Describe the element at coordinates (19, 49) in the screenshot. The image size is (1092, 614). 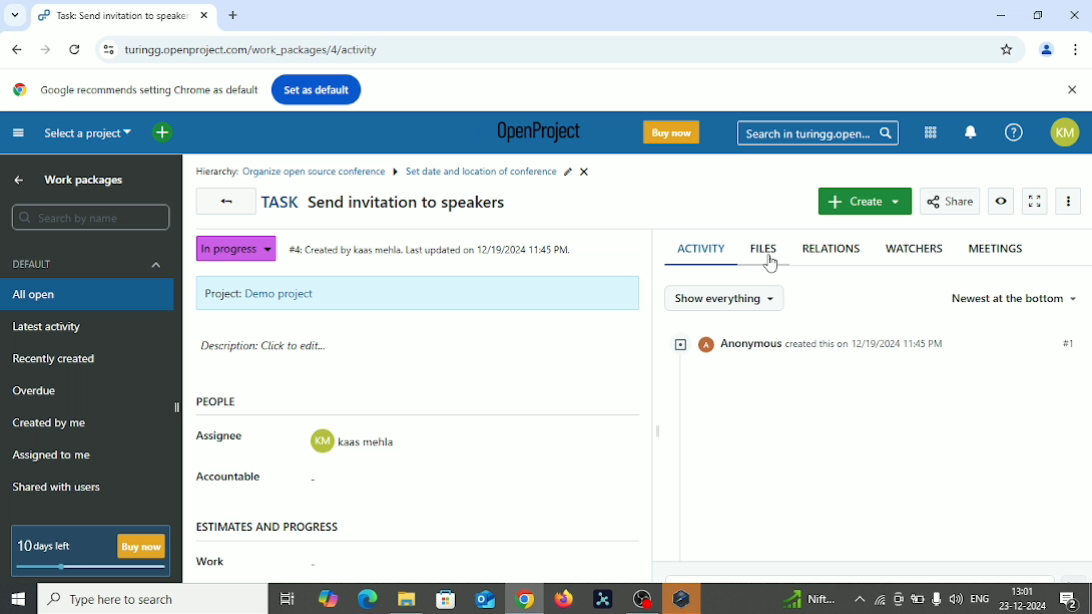
I see `Back` at that location.